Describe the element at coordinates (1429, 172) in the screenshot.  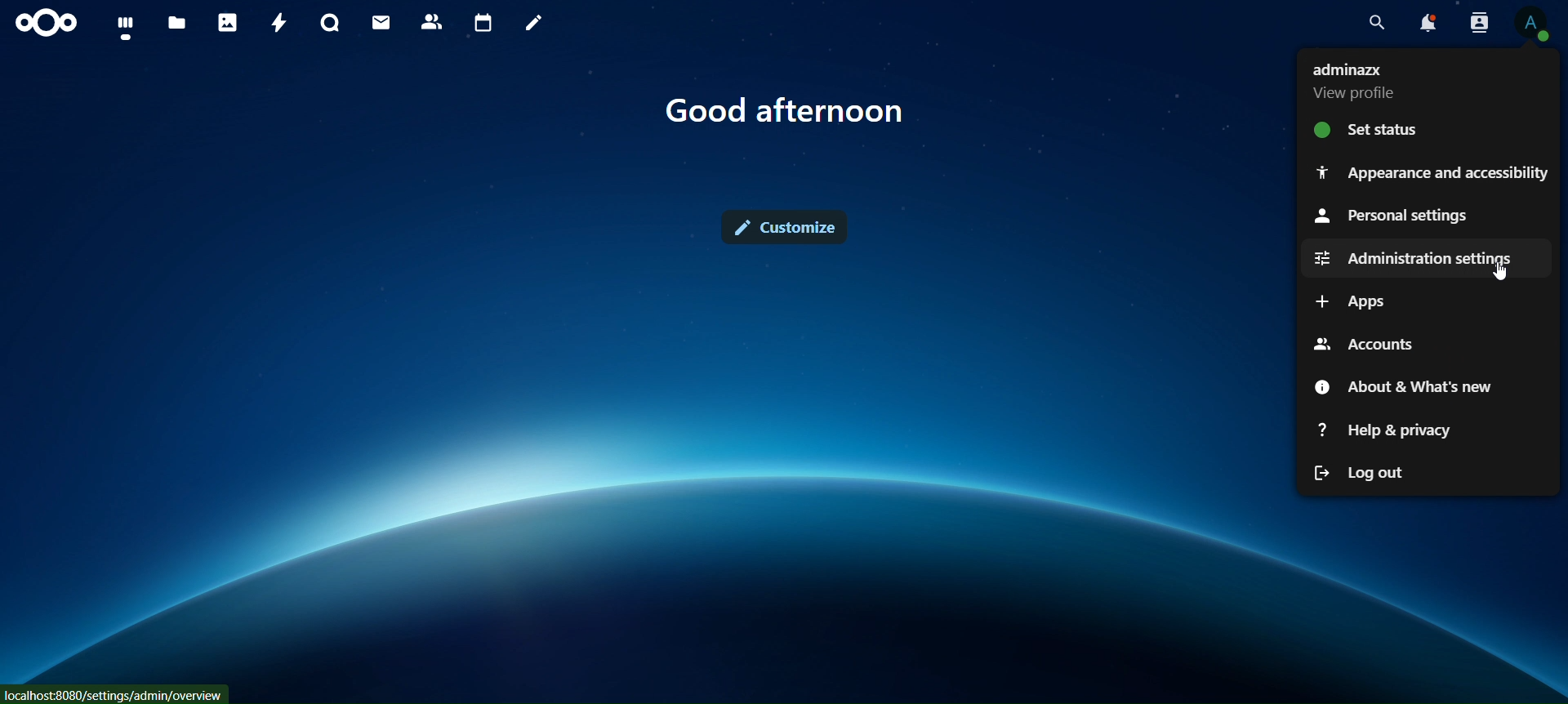
I see `appearance and accessibility` at that location.